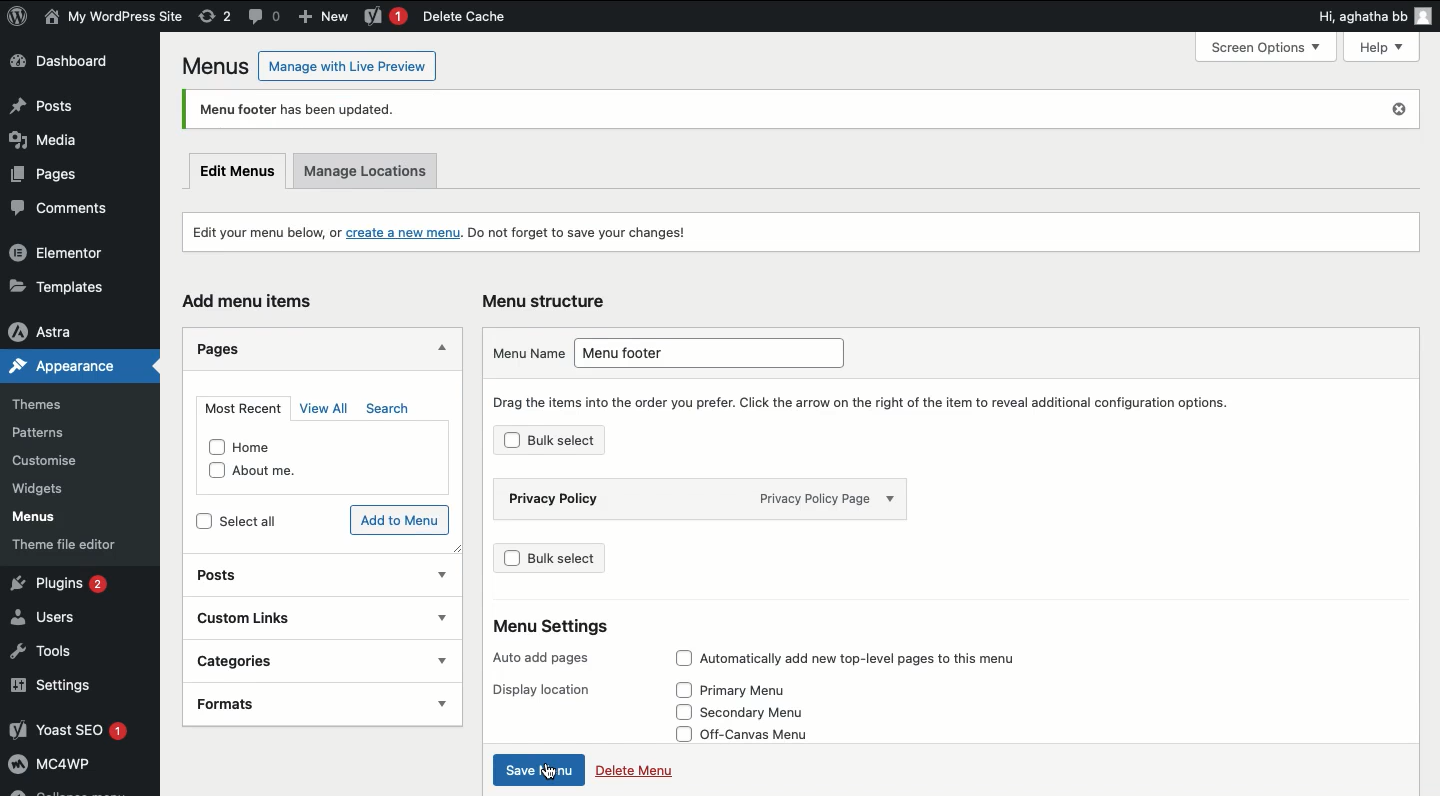 The width and height of the screenshot is (1440, 796). What do you see at coordinates (509, 442) in the screenshot?
I see `checkbox` at bounding box center [509, 442].